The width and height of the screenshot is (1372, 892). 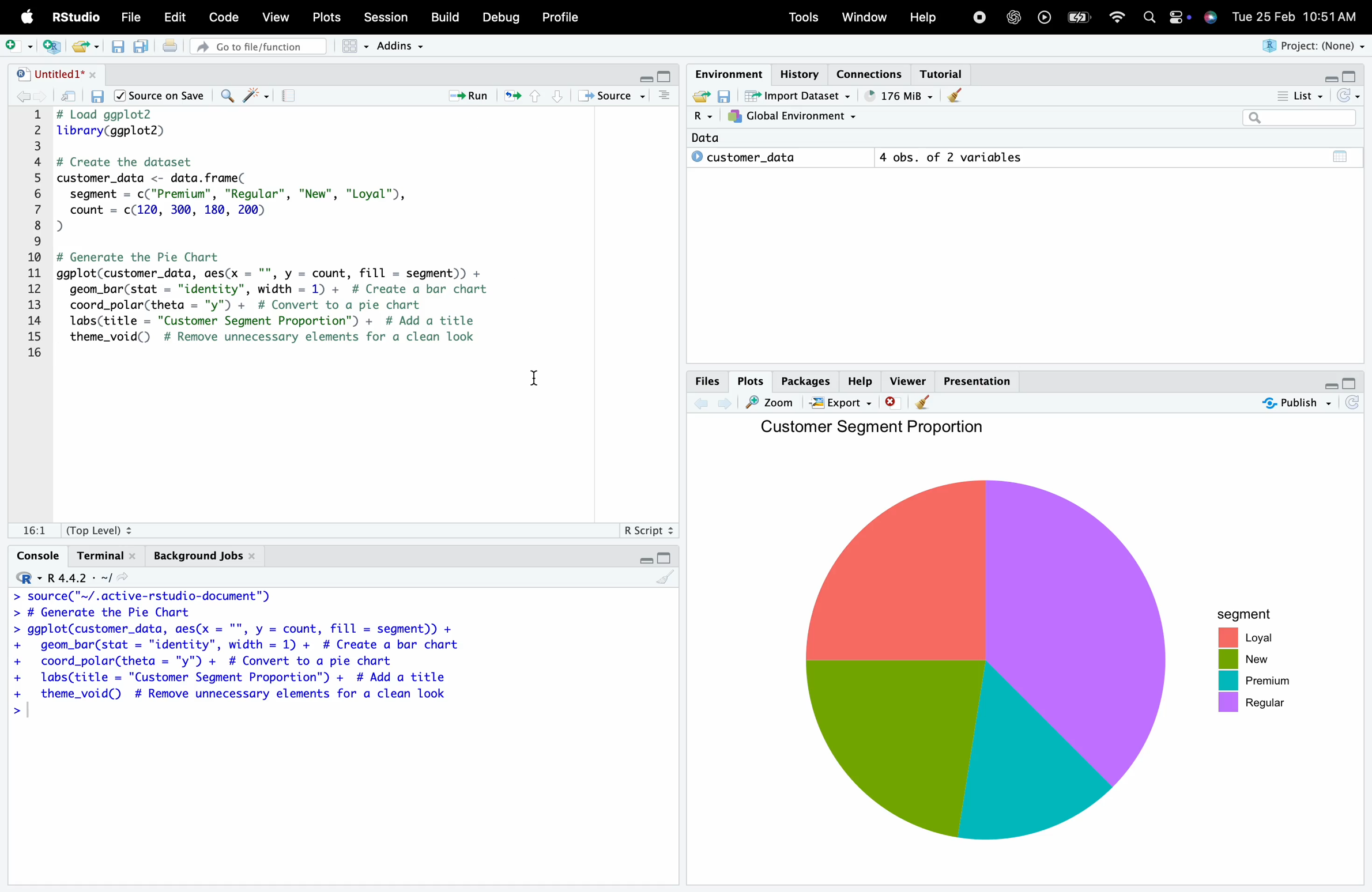 I want to click on " 86 MiB, so click(x=895, y=96).